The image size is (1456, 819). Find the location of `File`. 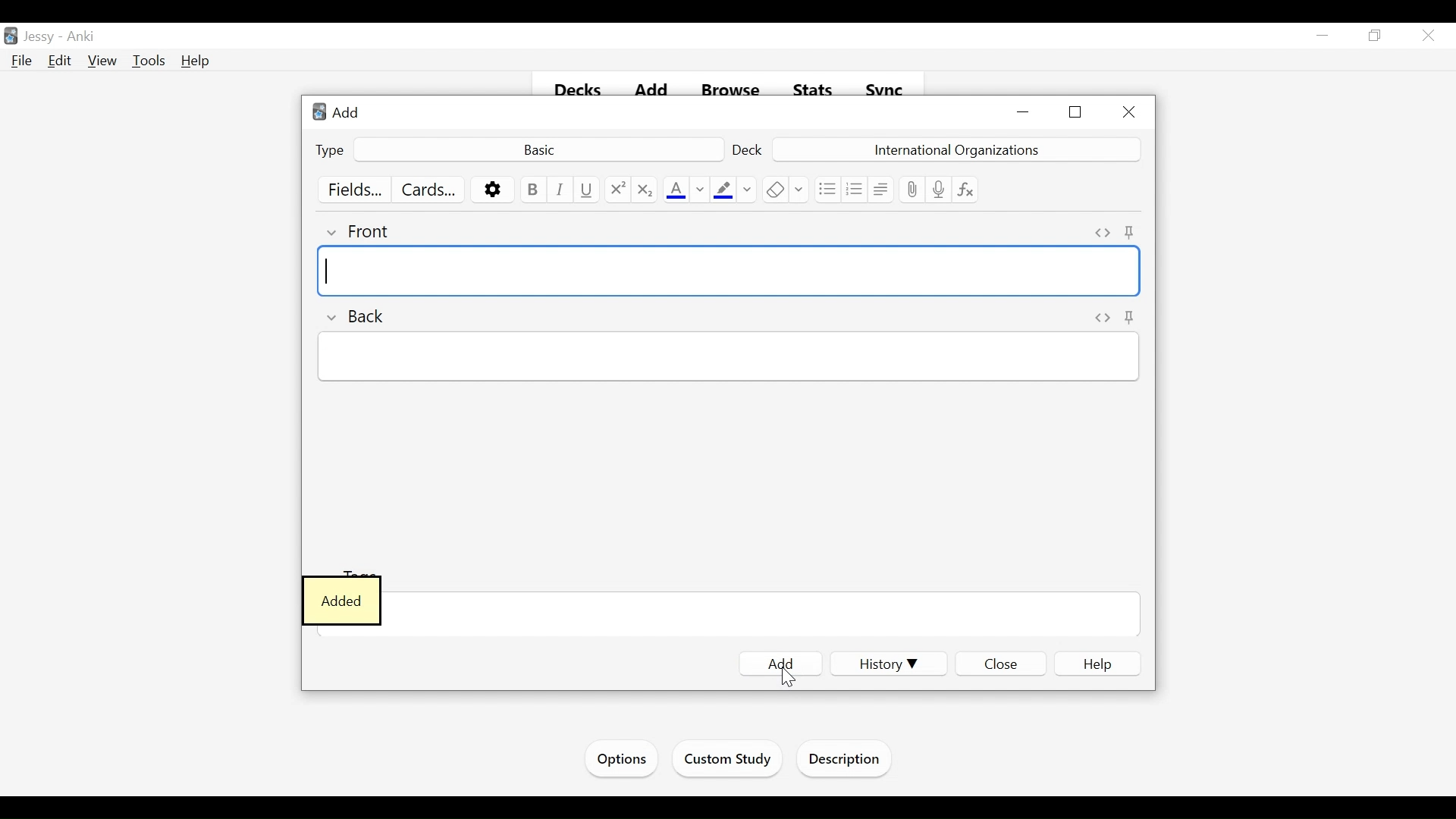

File is located at coordinates (22, 61).